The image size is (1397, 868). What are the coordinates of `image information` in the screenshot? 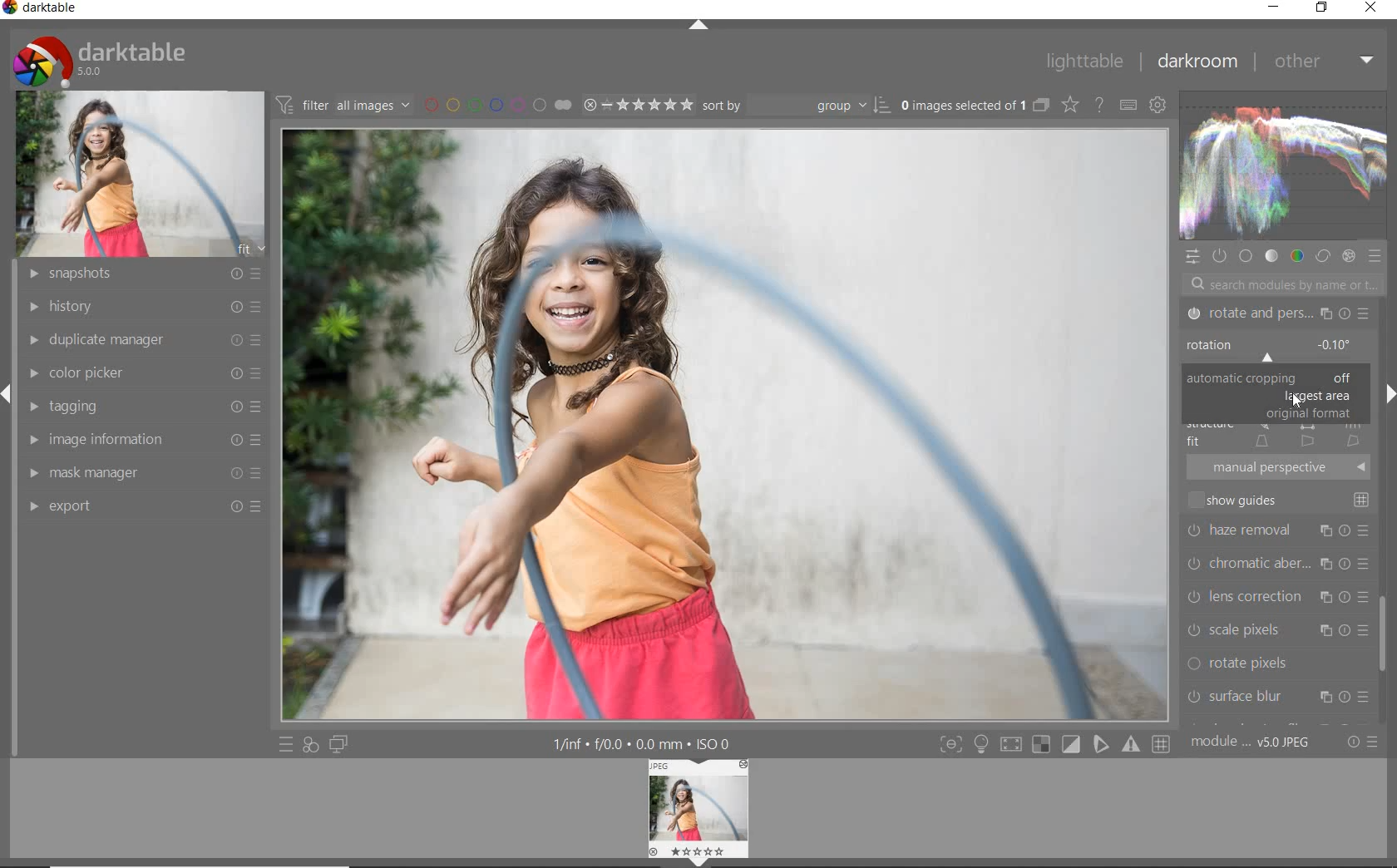 It's located at (143, 441).